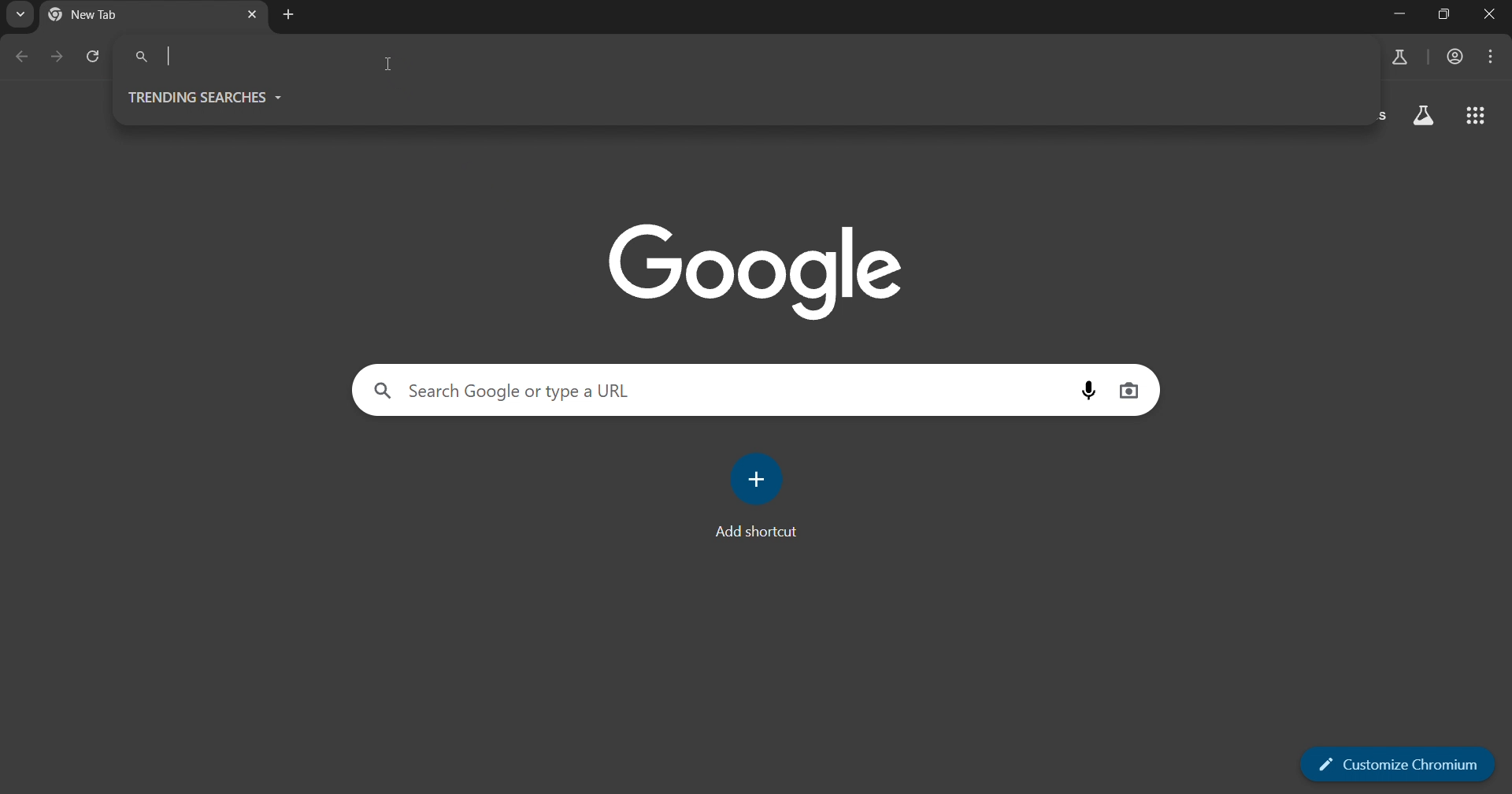 The image size is (1512, 794). What do you see at coordinates (1456, 58) in the screenshot?
I see `account` at bounding box center [1456, 58].